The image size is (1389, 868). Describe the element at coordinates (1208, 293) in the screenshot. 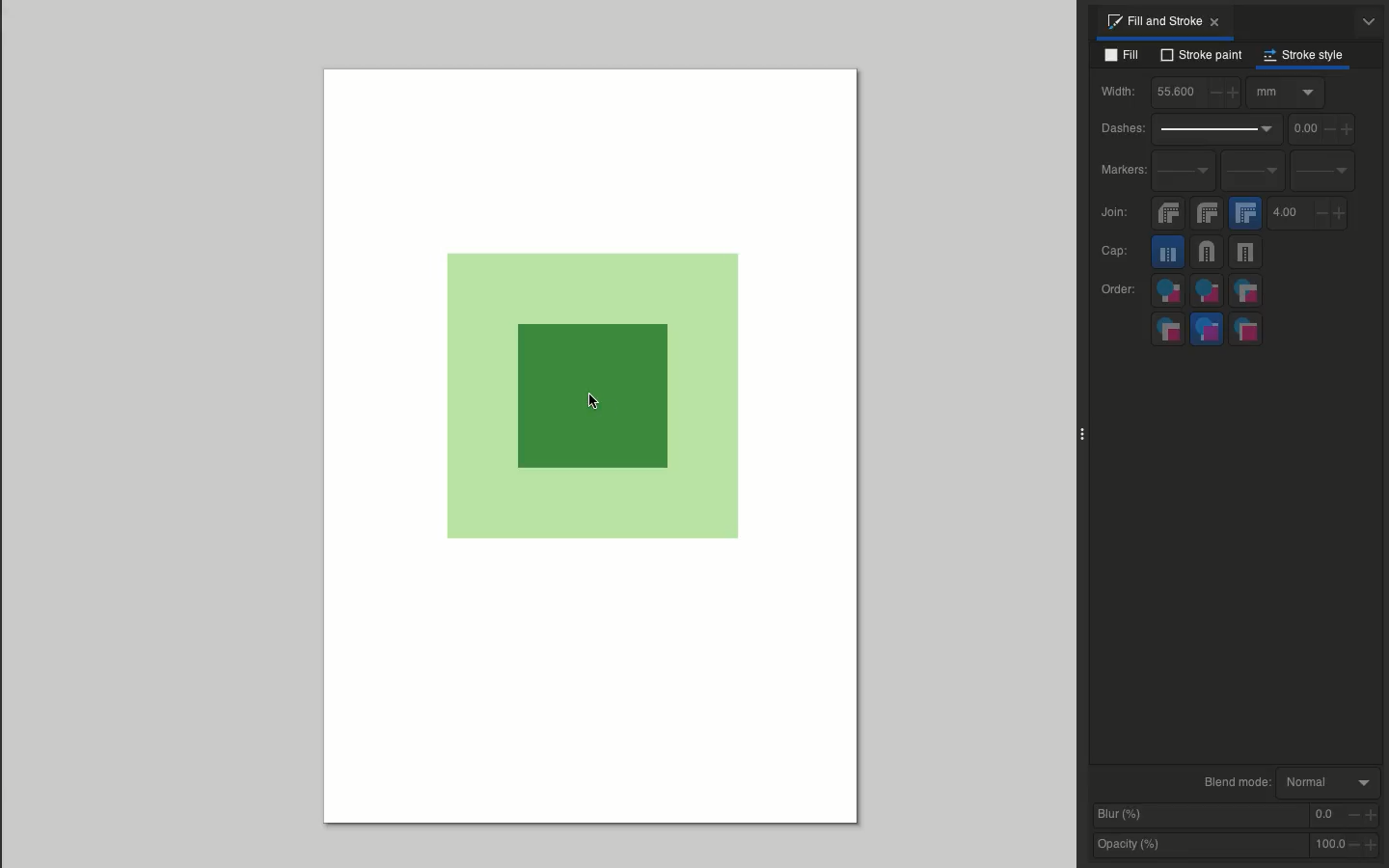

I see `Stroke, fill, markers` at that location.